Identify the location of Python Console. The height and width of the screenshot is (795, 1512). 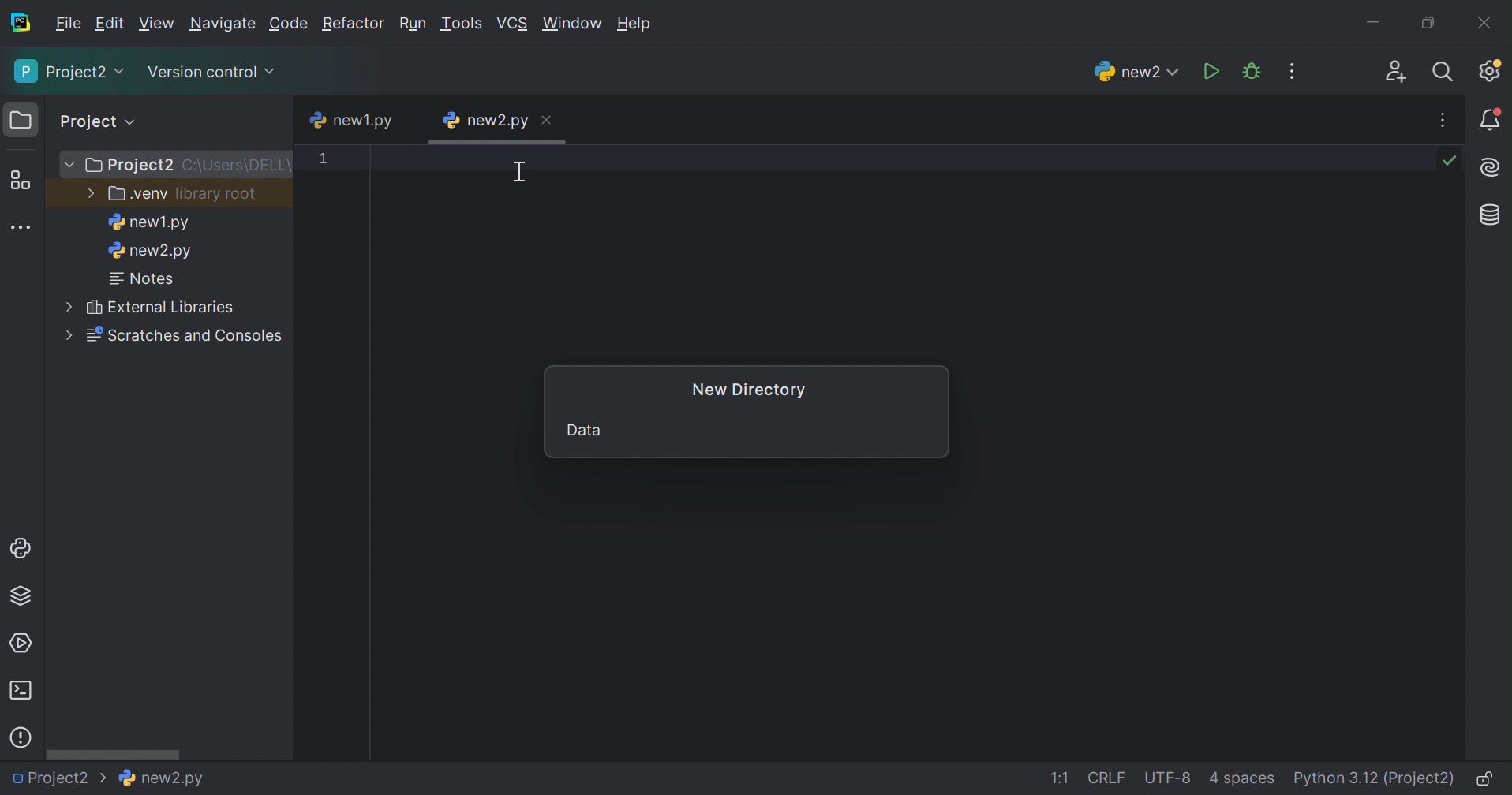
(20, 547).